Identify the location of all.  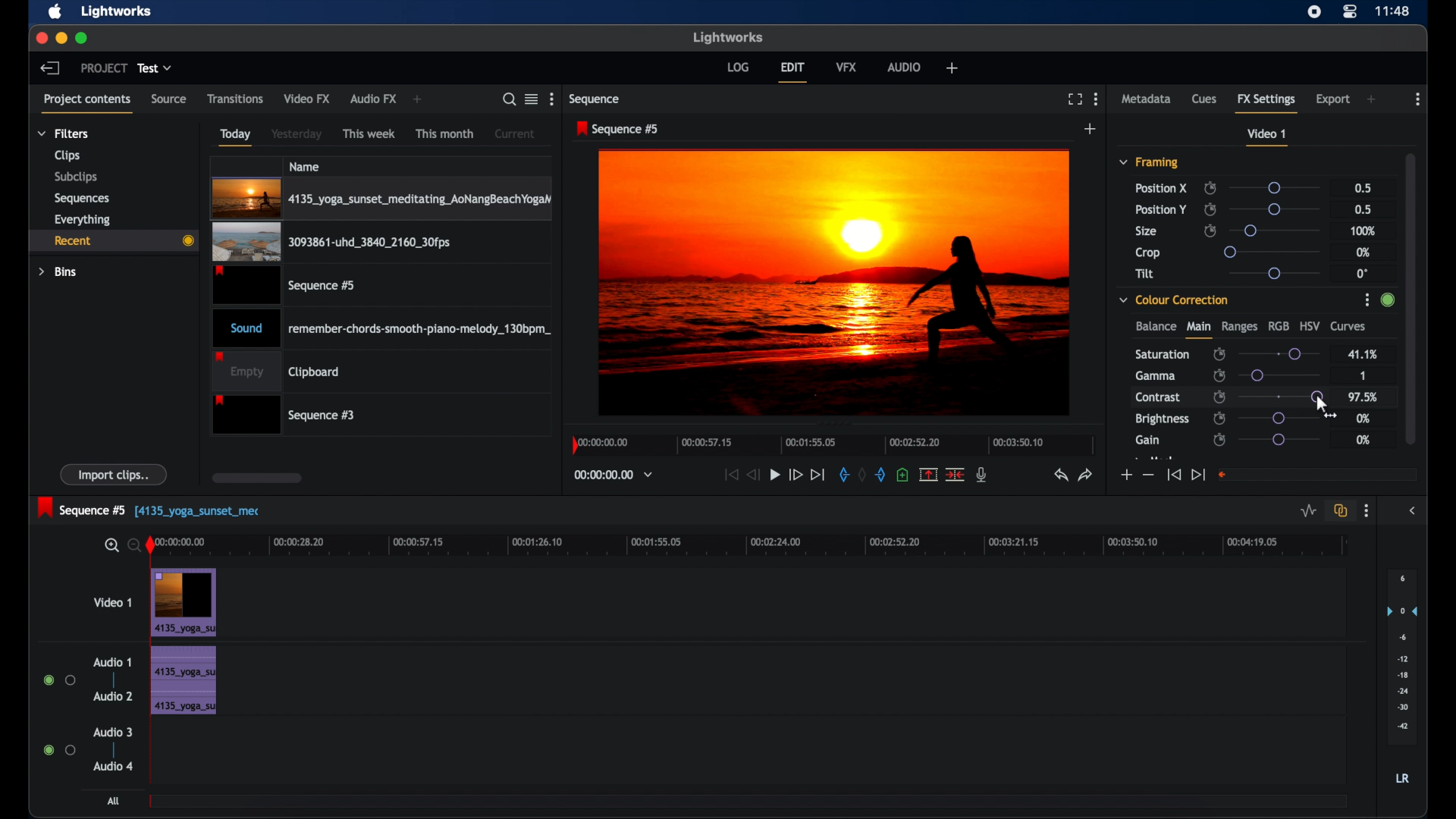
(114, 801).